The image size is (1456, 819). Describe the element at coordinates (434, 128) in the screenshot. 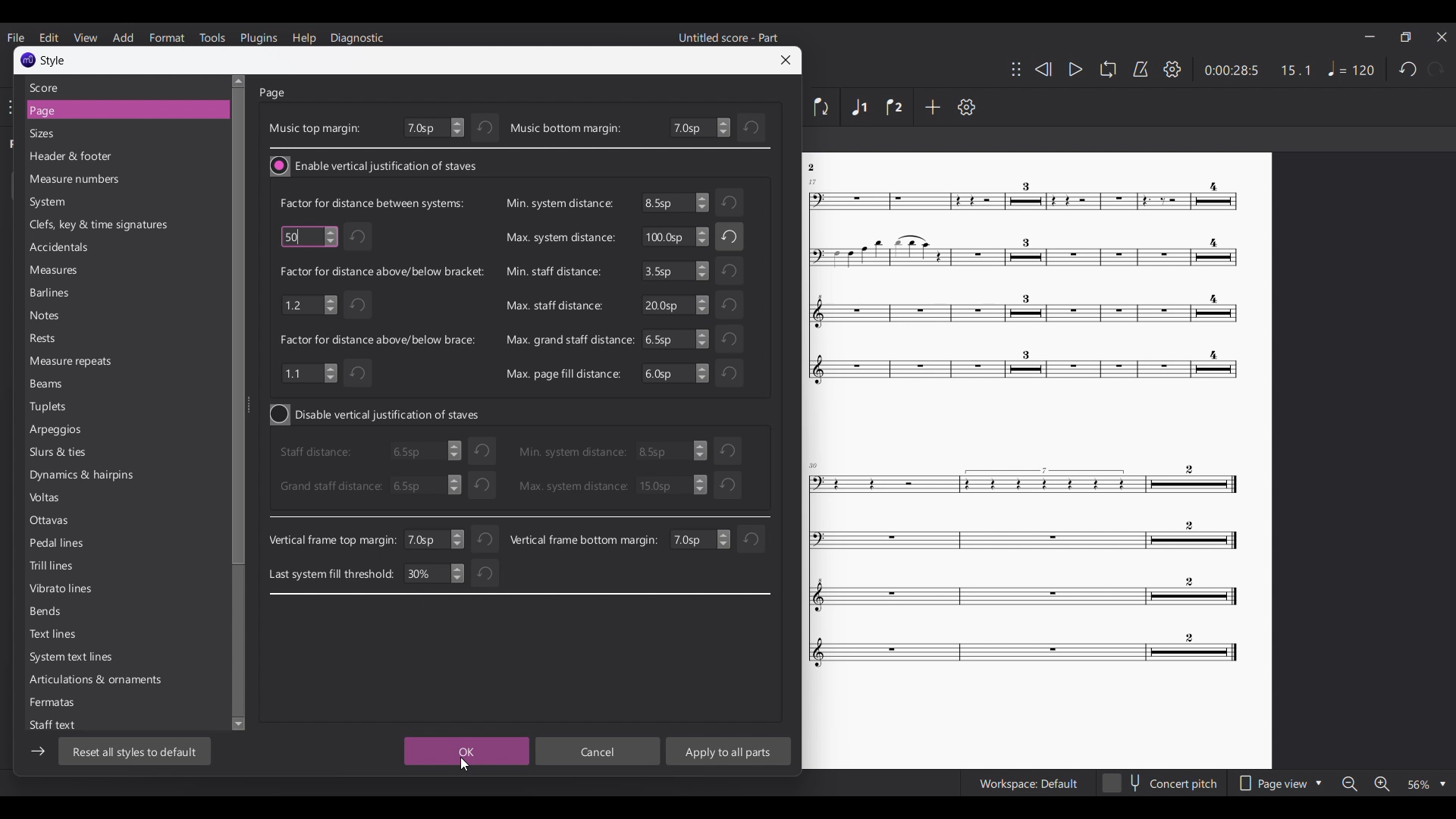

I see `Top margin settings` at that location.